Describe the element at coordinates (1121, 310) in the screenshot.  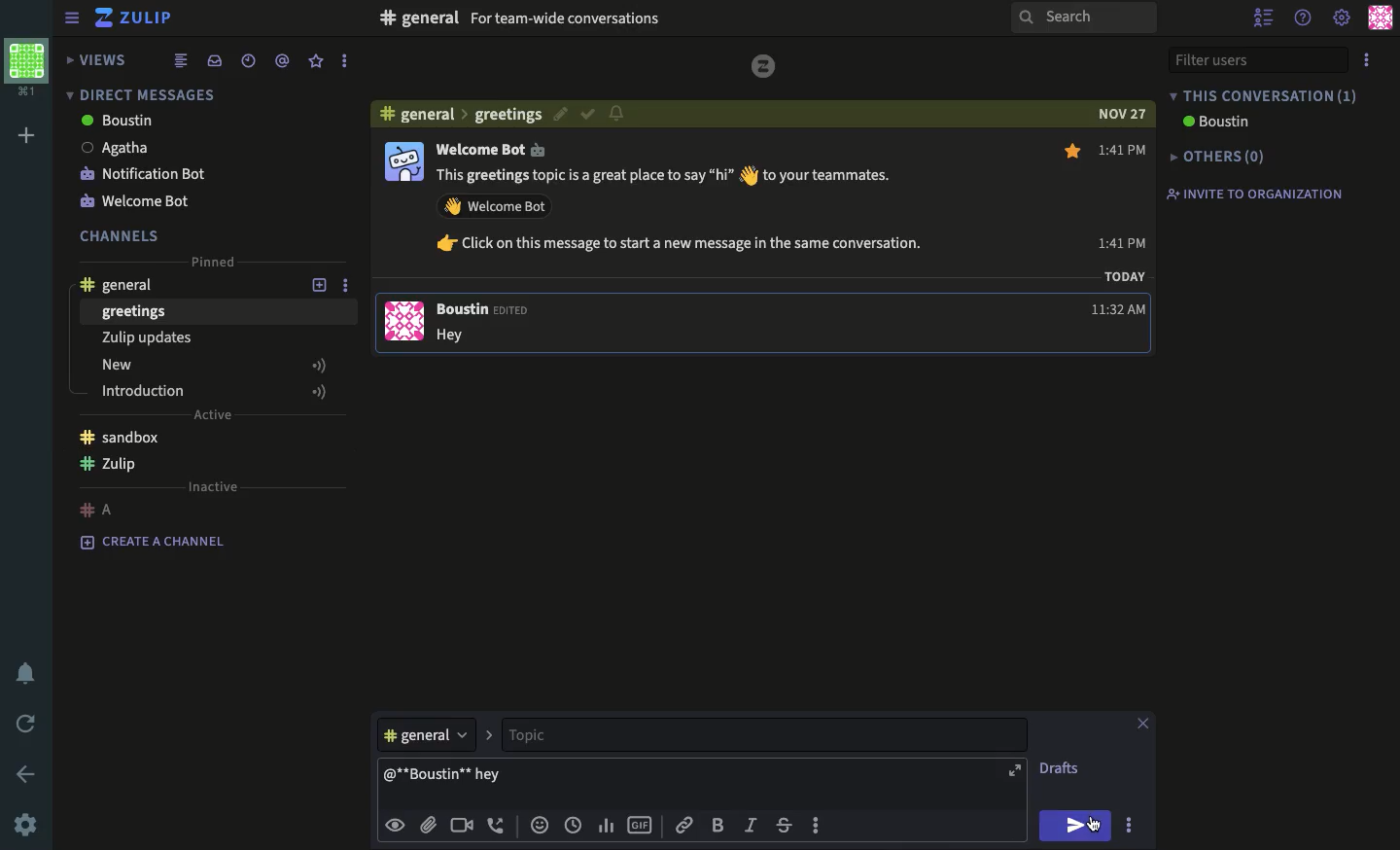
I see `11:32 AM` at that location.